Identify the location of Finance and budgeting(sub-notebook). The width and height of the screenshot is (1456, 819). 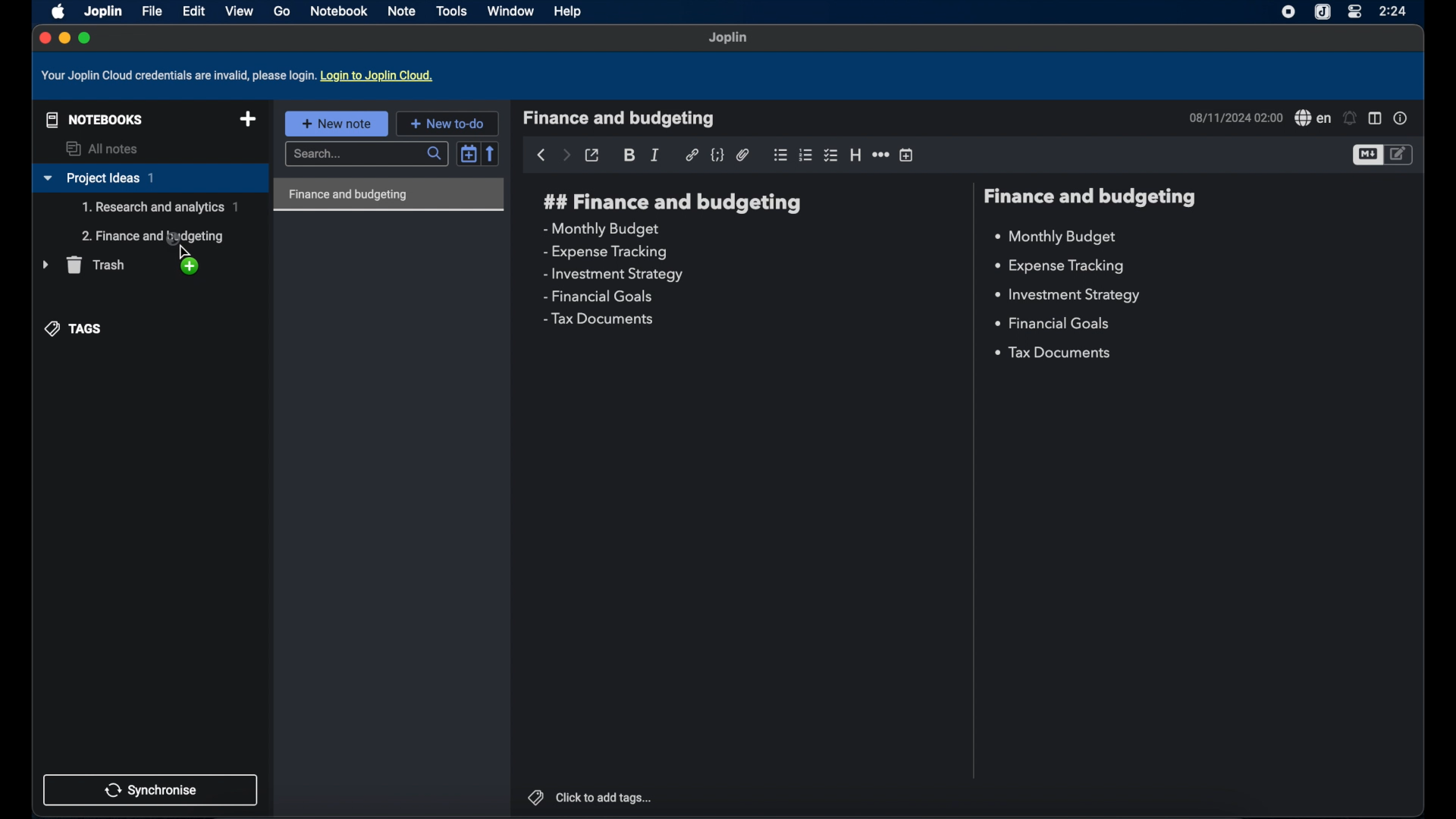
(155, 236).